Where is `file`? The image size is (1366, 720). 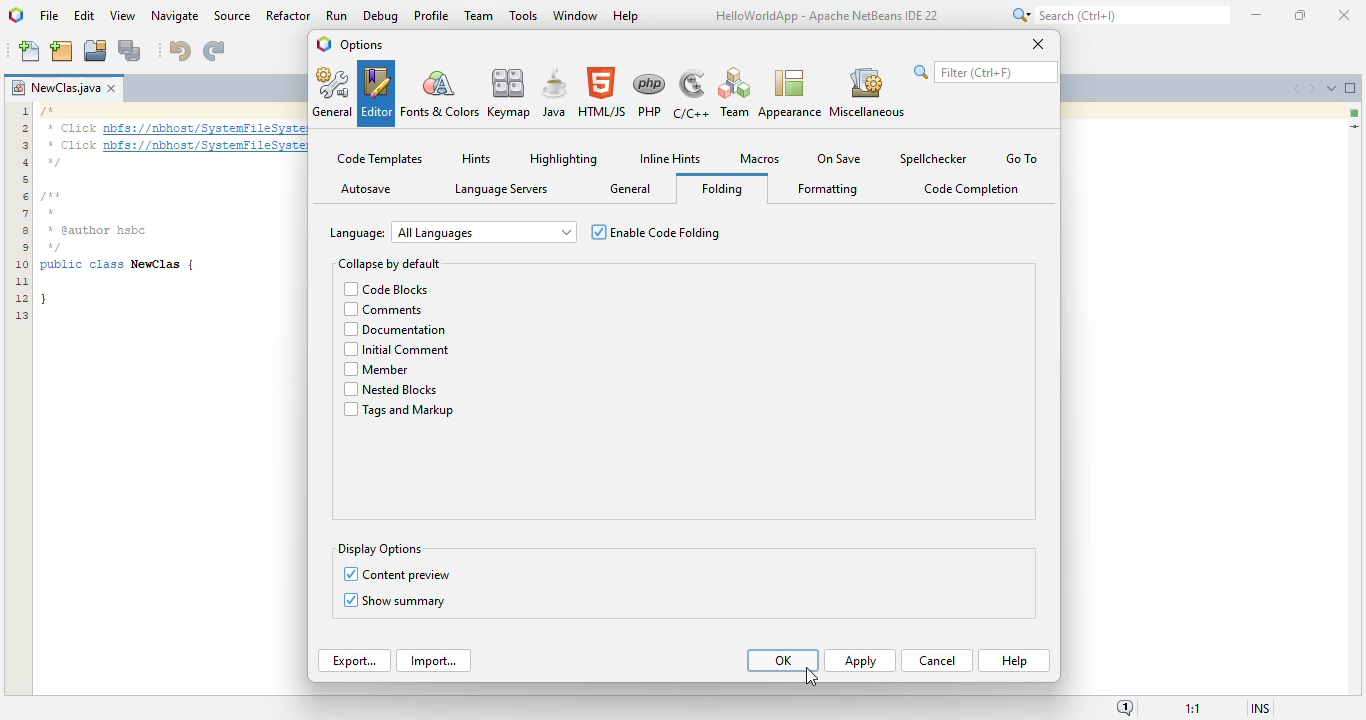 file is located at coordinates (50, 16).